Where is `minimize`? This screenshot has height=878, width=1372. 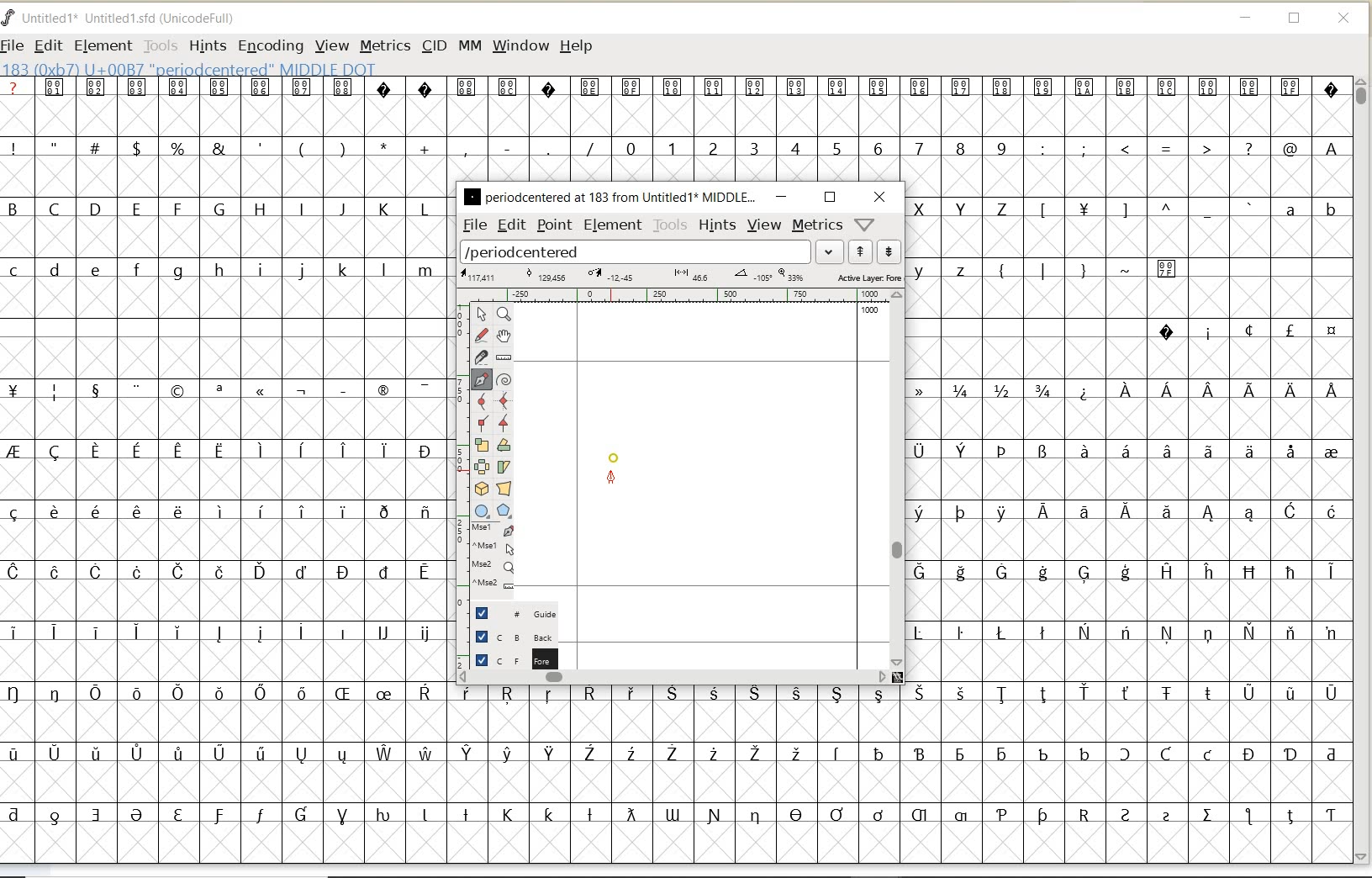
minimize is located at coordinates (781, 197).